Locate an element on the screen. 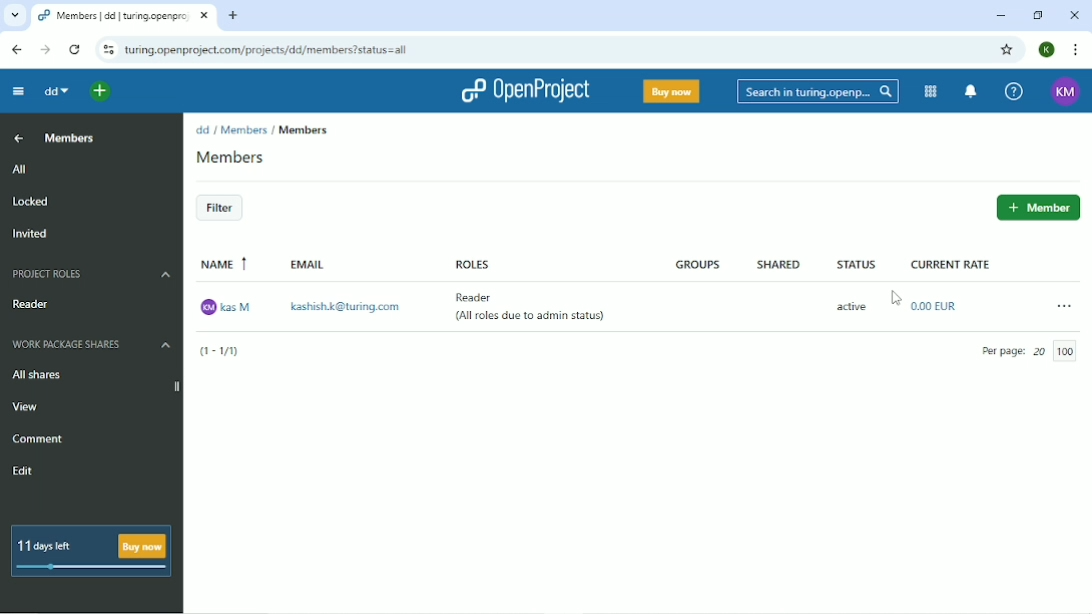 The width and height of the screenshot is (1092, 614). View site information is located at coordinates (106, 48).